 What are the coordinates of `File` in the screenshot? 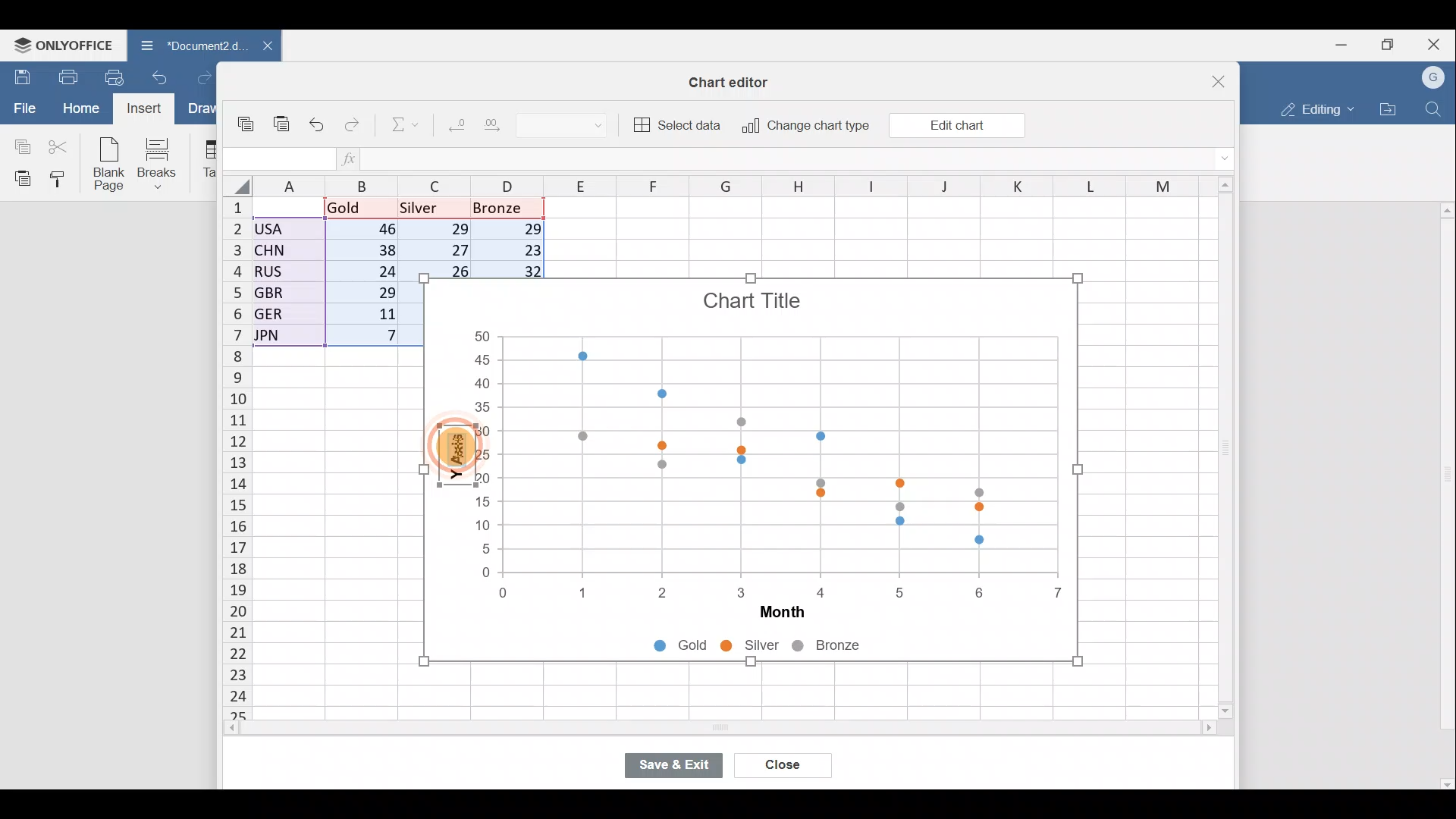 It's located at (21, 108).